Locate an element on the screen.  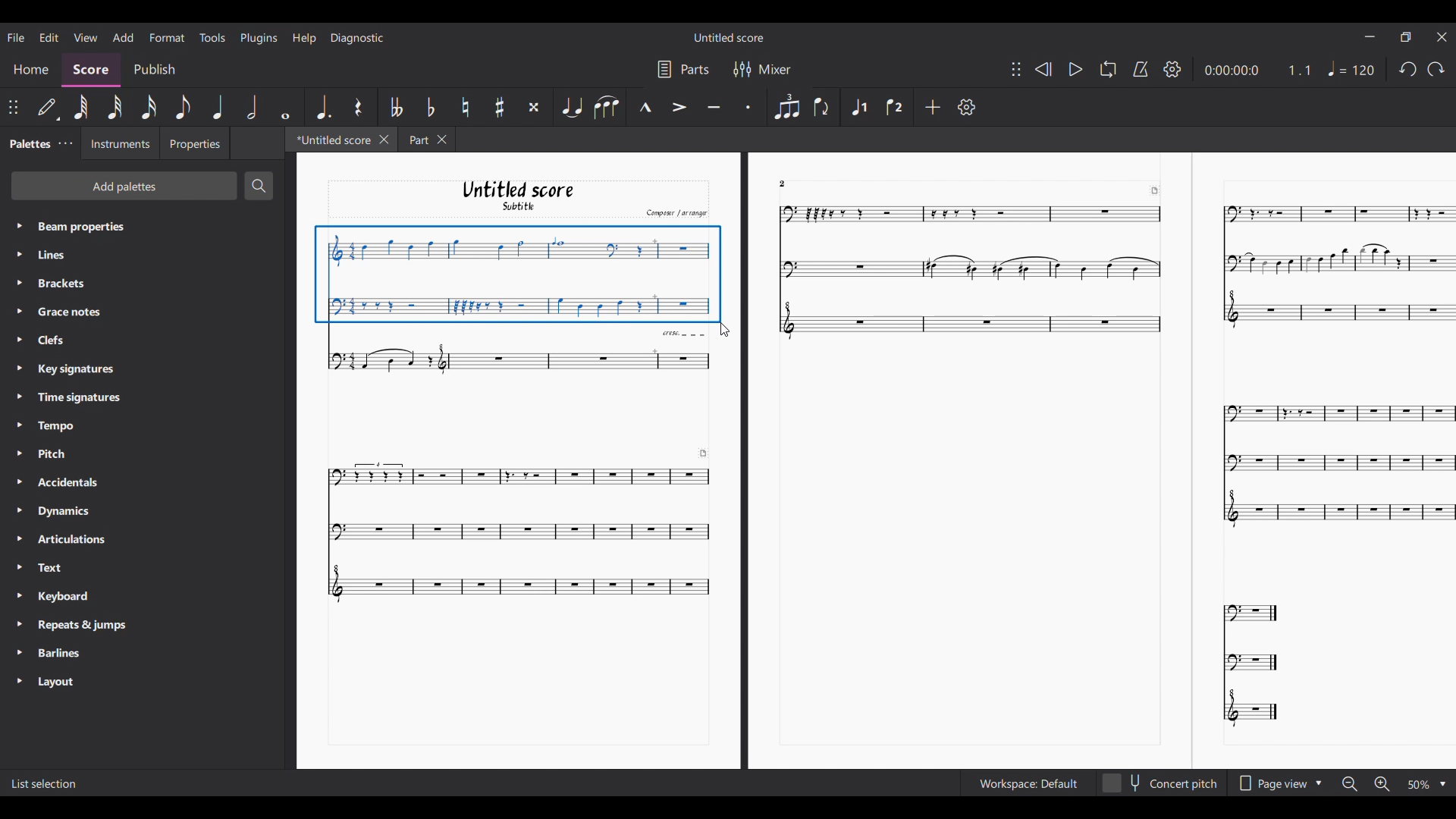
View  is located at coordinates (86, 37).